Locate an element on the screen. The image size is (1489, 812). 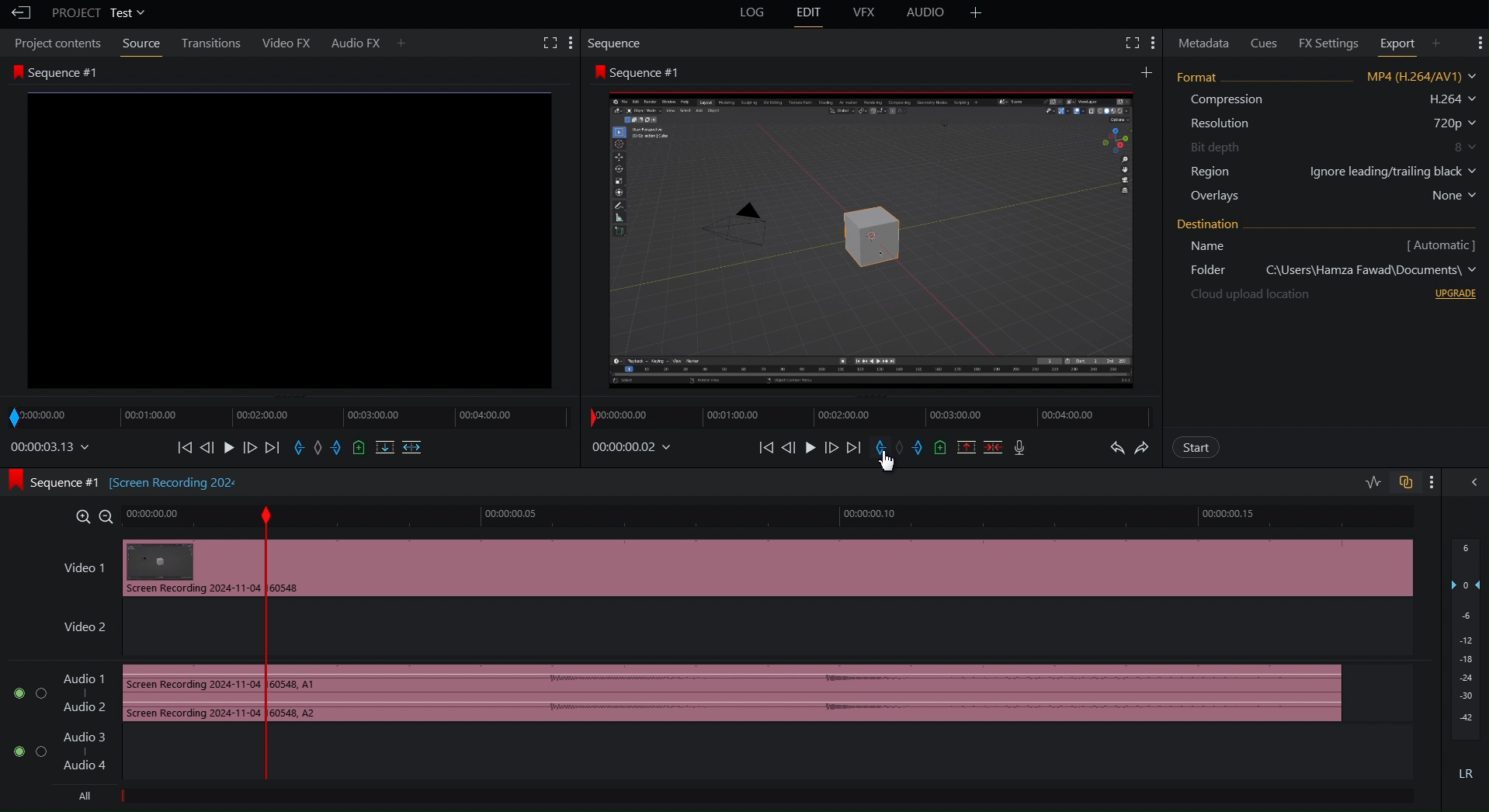
Audio clip is located at coordinates (185, 696).